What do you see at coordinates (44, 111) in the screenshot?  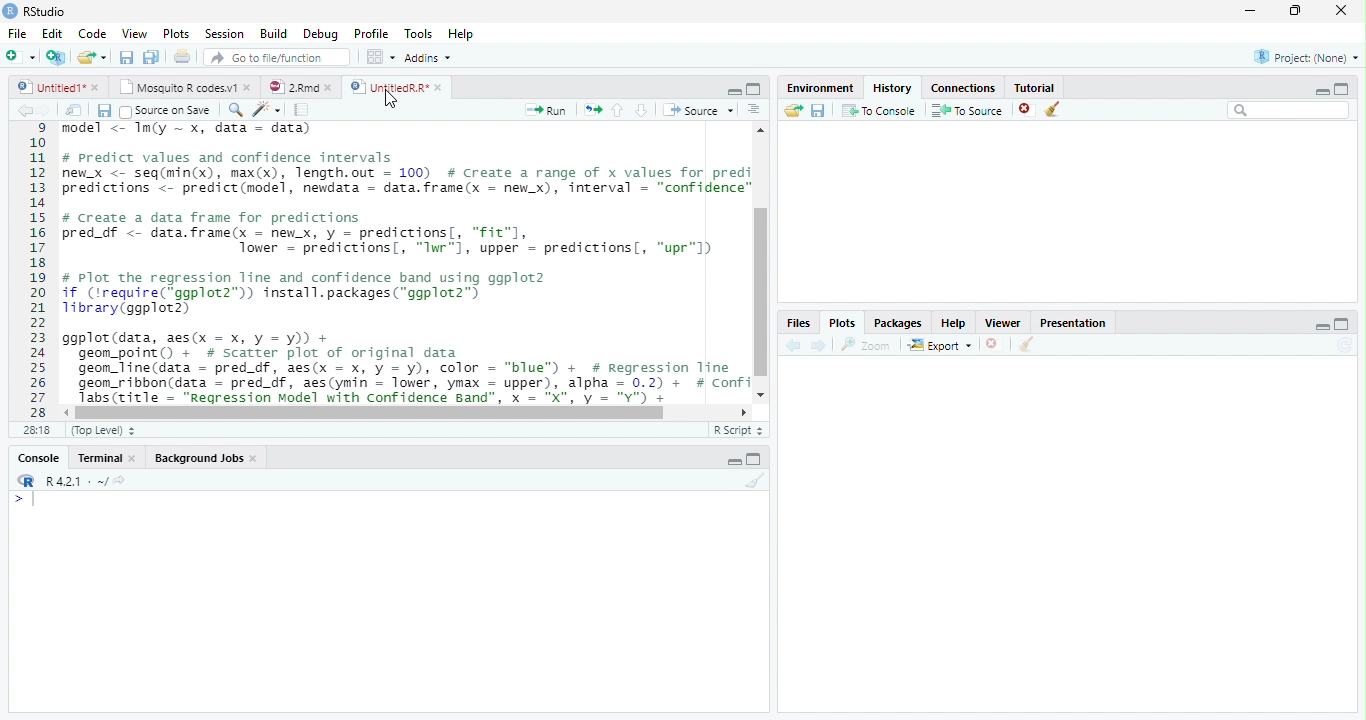 I see `Next` at bounding box center [44, 111].